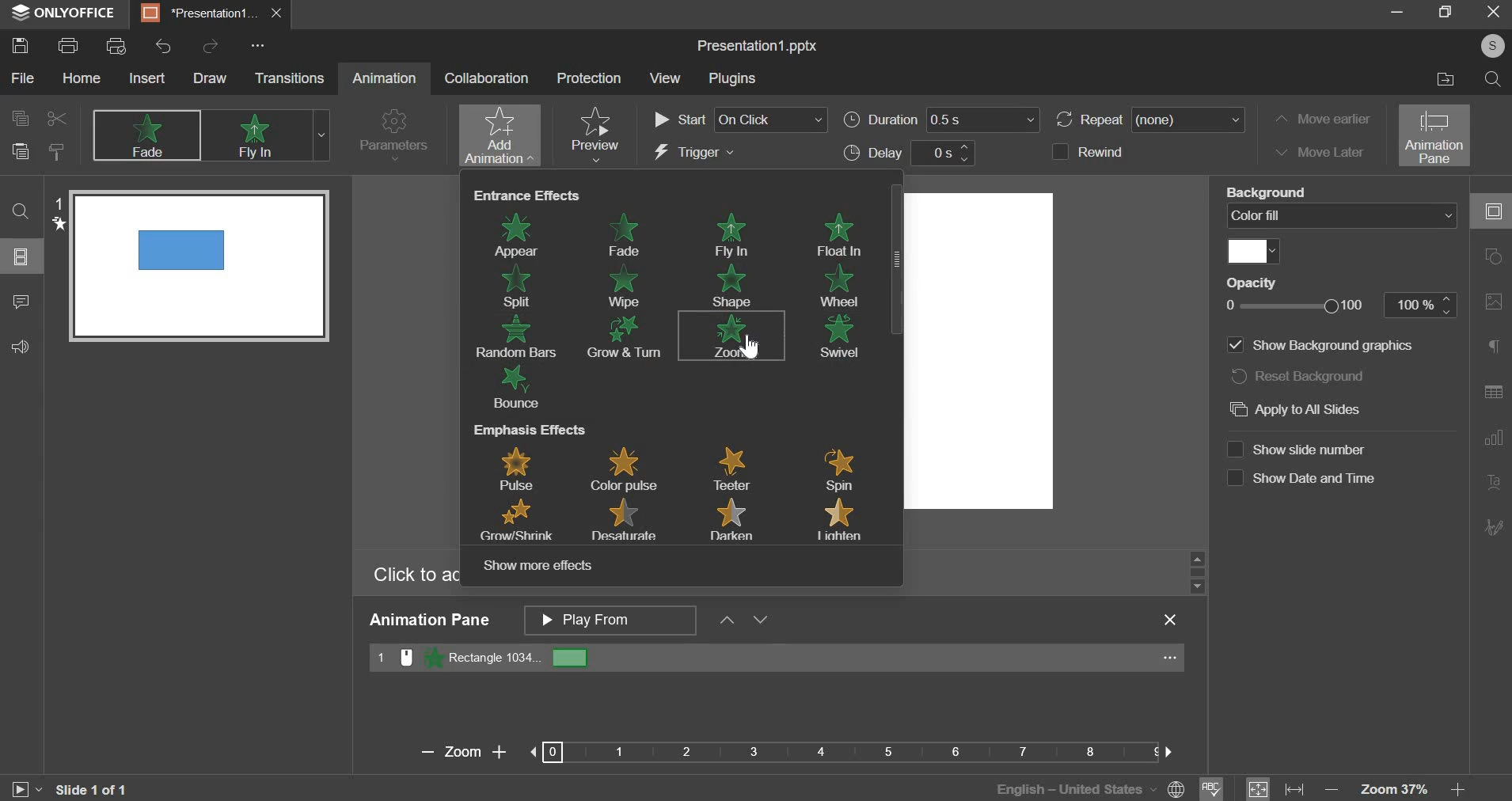  Describe the element at coordinates (59, 152) in the screenshot. I see `copy style` at that location.